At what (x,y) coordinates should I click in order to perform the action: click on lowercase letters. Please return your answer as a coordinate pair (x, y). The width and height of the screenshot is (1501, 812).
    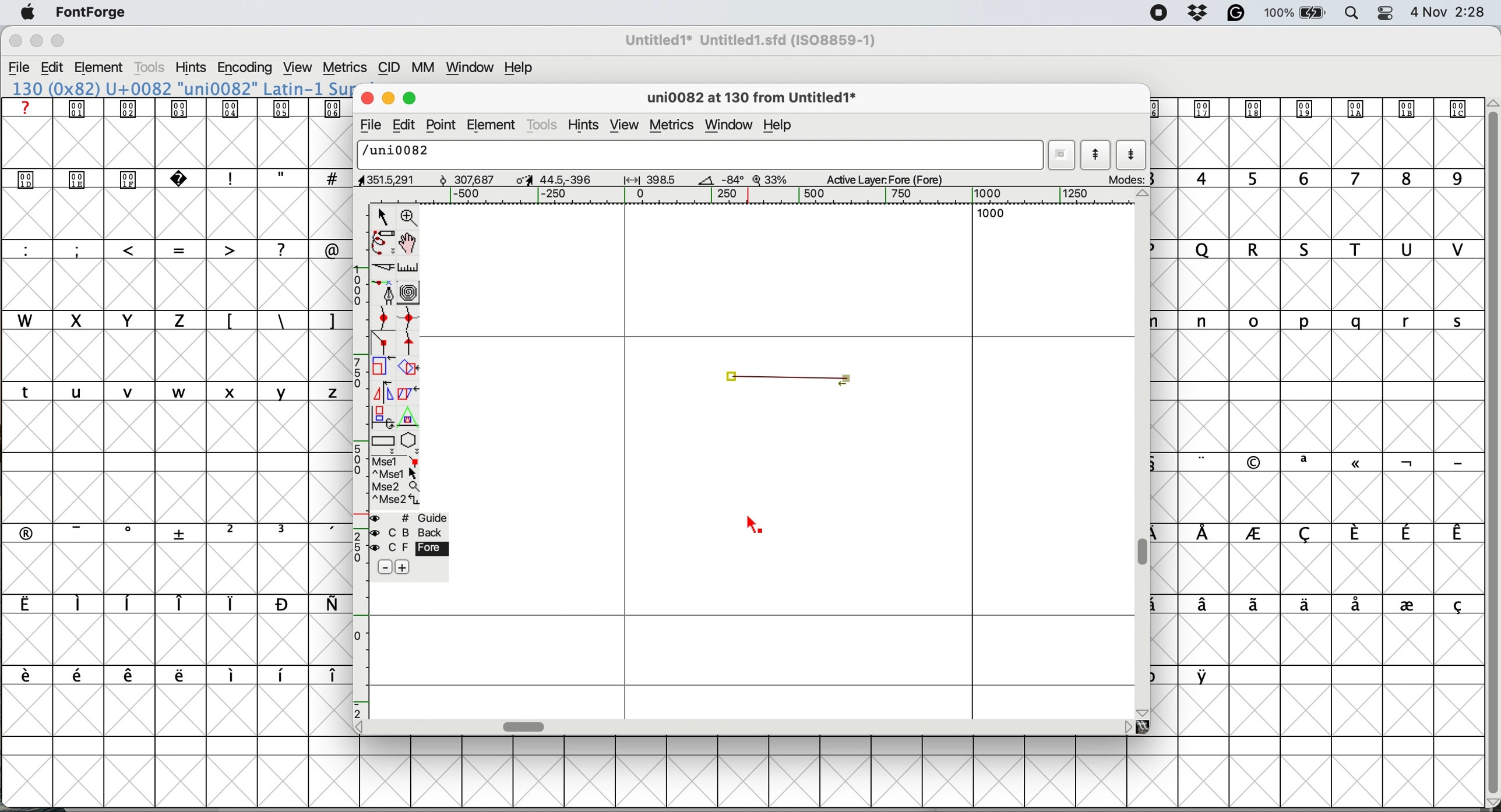
    Looking at the image, I should click on (1327, 321).